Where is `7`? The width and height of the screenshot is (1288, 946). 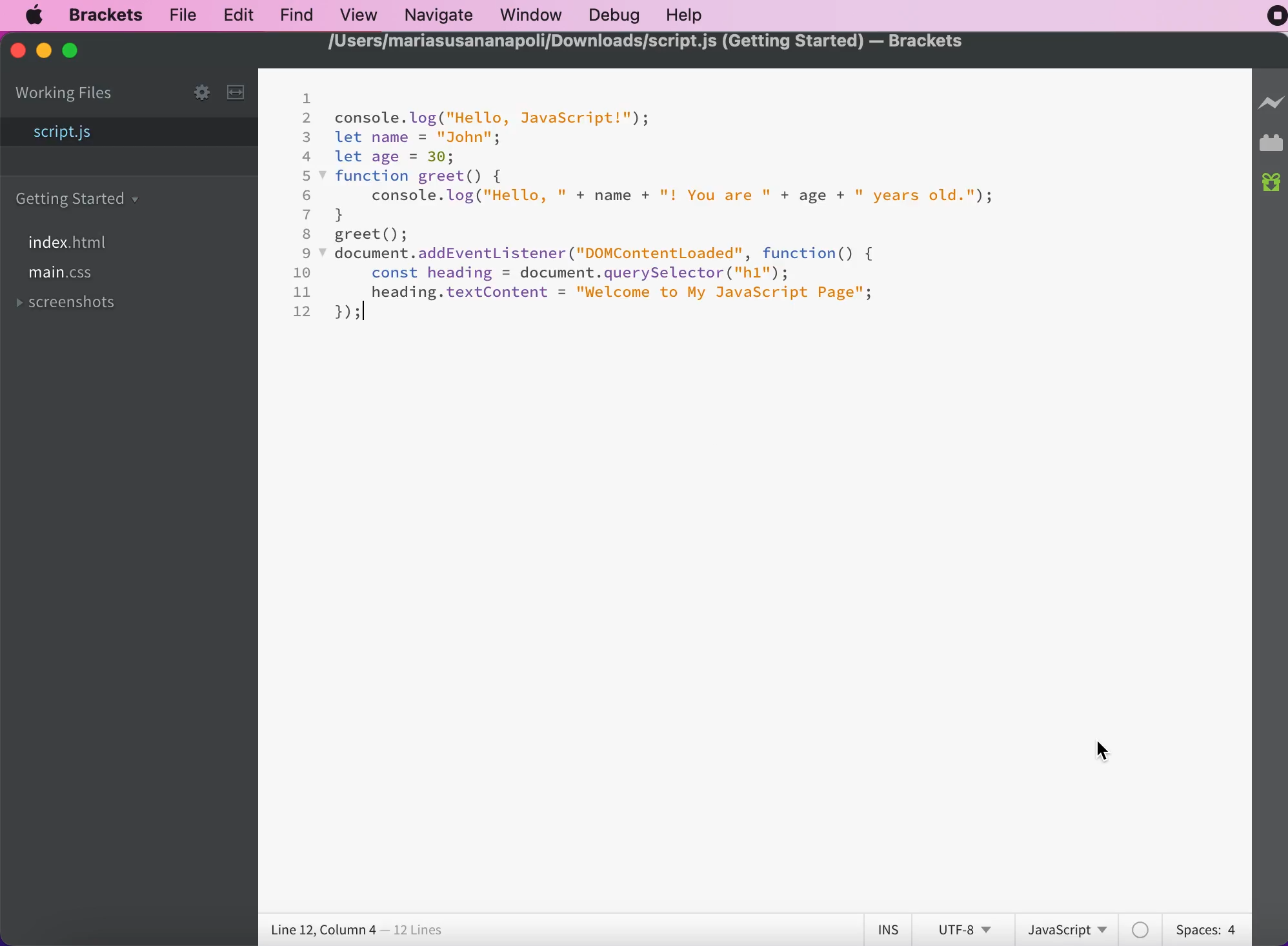 7 is located at coordinates (307, 214).